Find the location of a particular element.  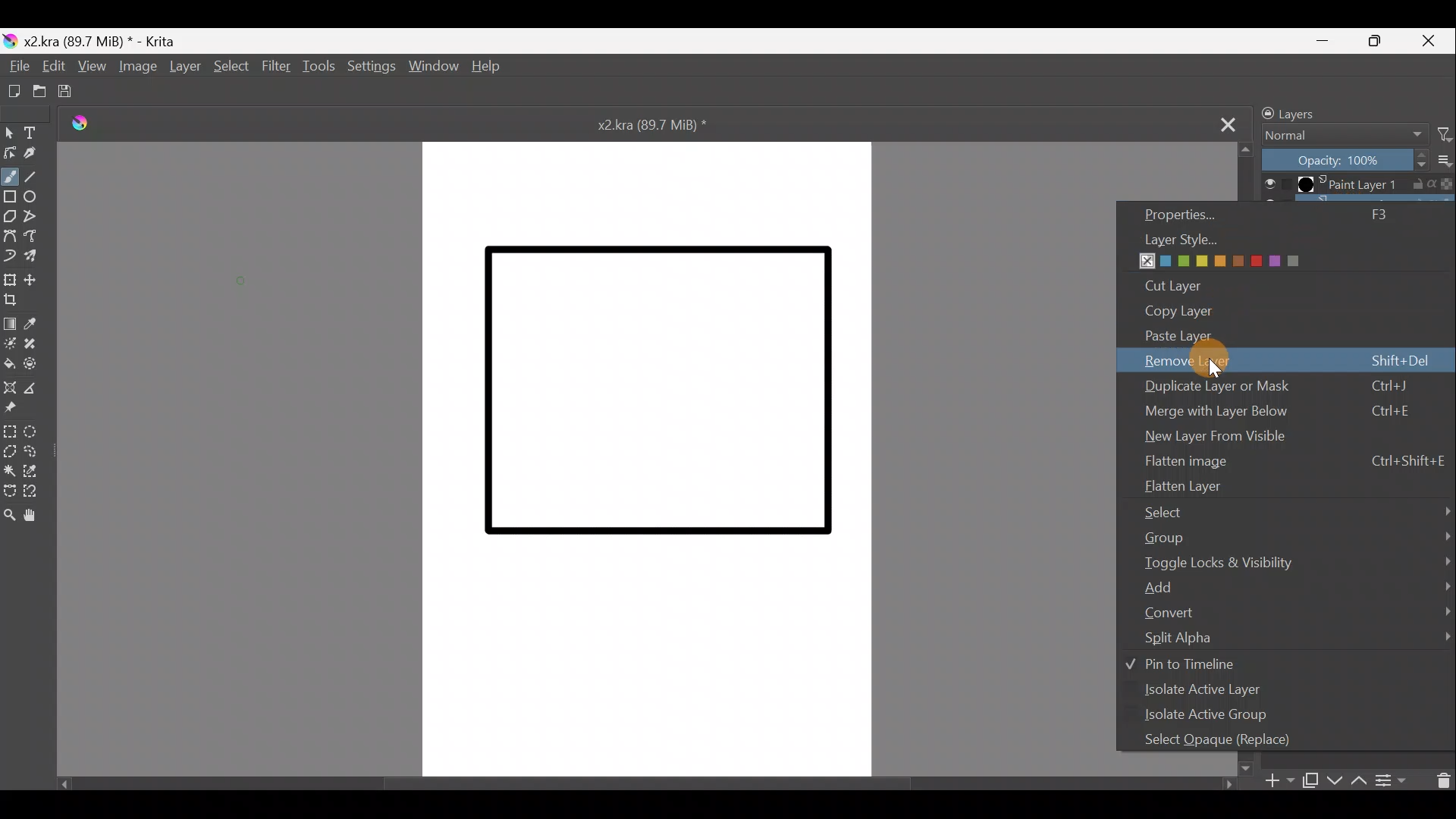

Add layer is located at coordinates (1279, 782).